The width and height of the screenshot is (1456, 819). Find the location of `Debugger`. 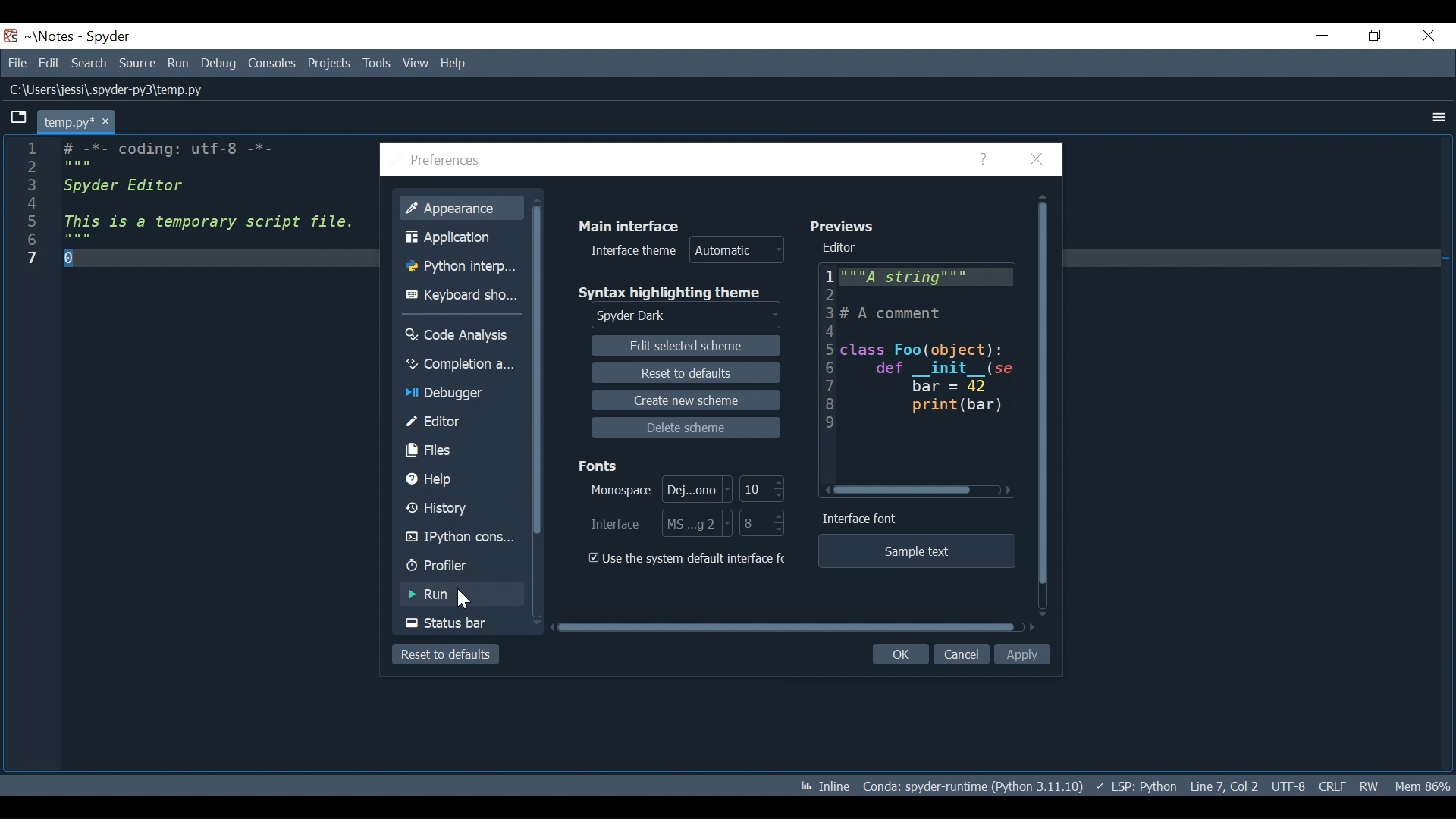

Debugger is located at coordinates (455, 390).